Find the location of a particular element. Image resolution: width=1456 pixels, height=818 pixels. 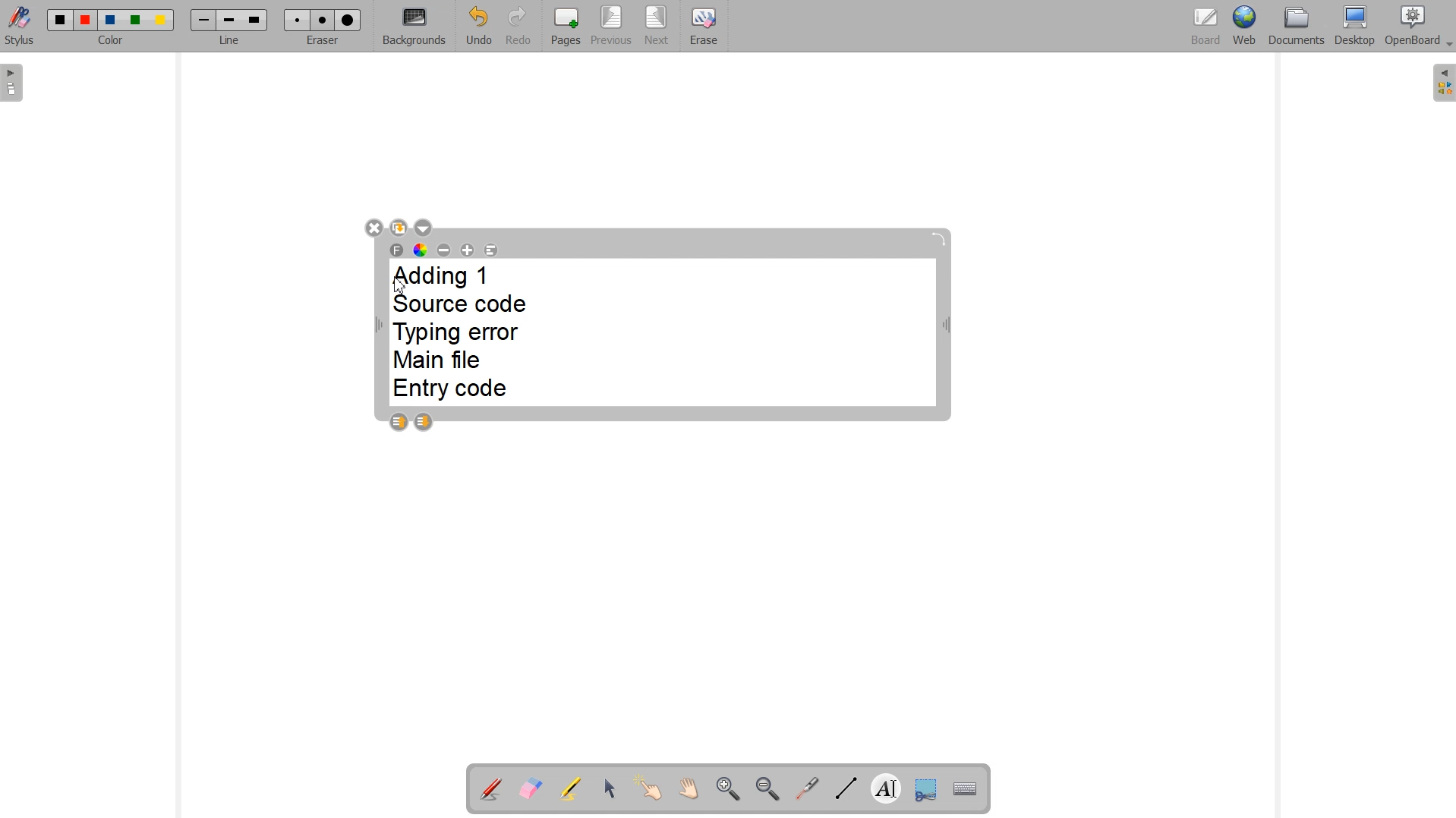

Erase is located at coordinates (704, 24).